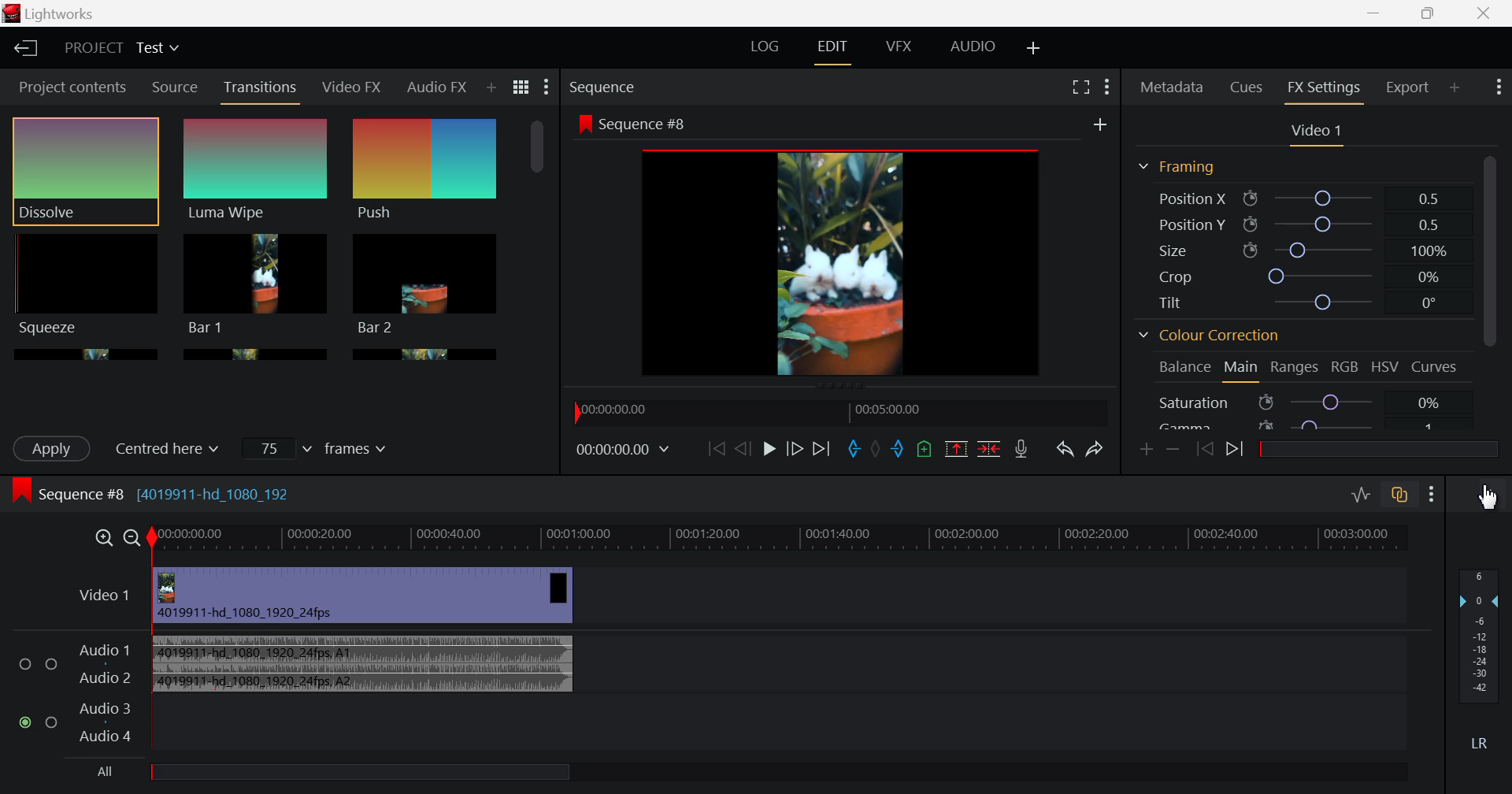 This screenshot has width=1512, height=794. What do you see at coordinates (708, 688) in the screenshot?
I see `Audio Input Field` at bounding box center [708, 688].